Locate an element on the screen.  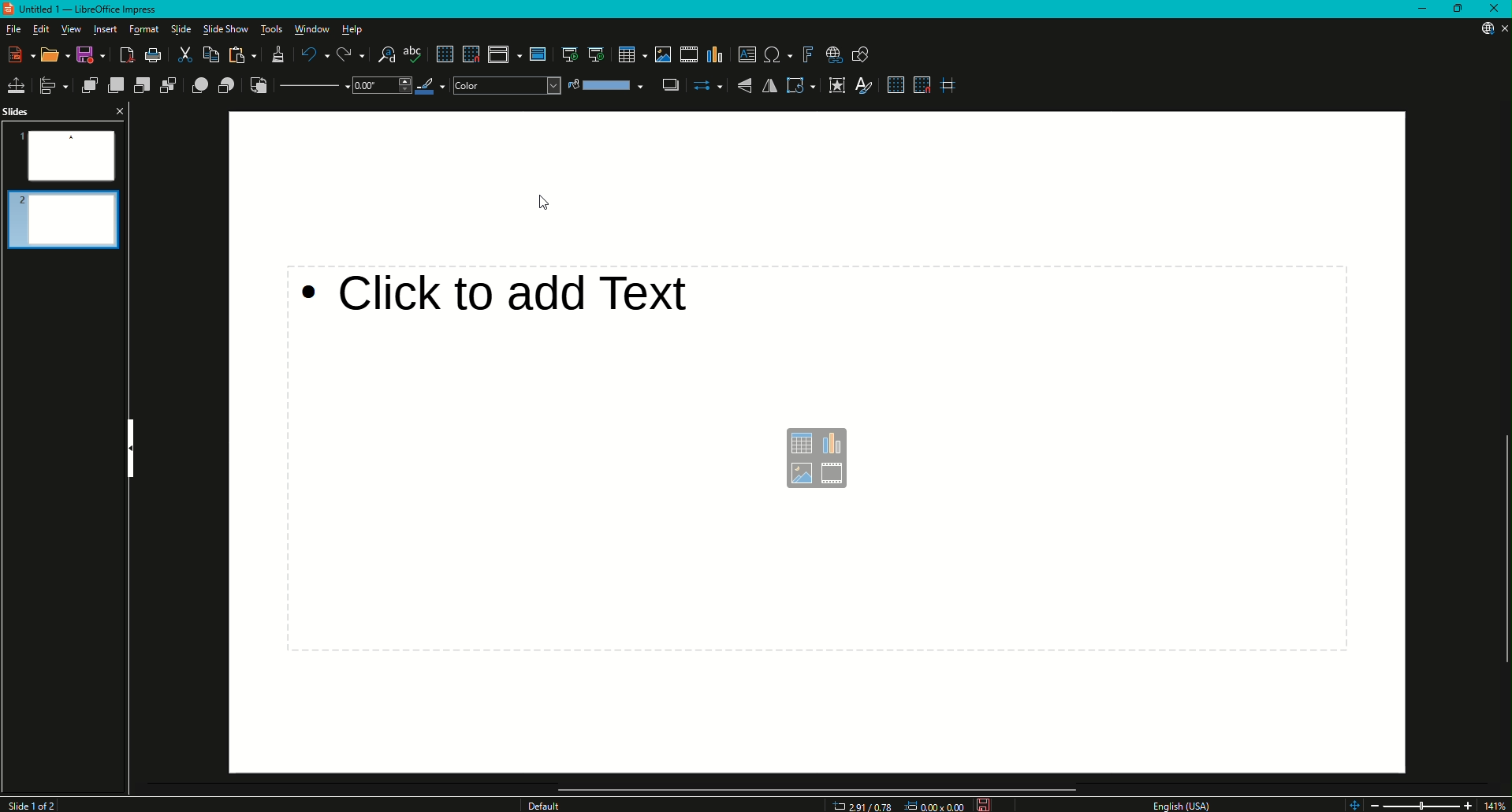
Scroll is located at coordinates (1513, 334).